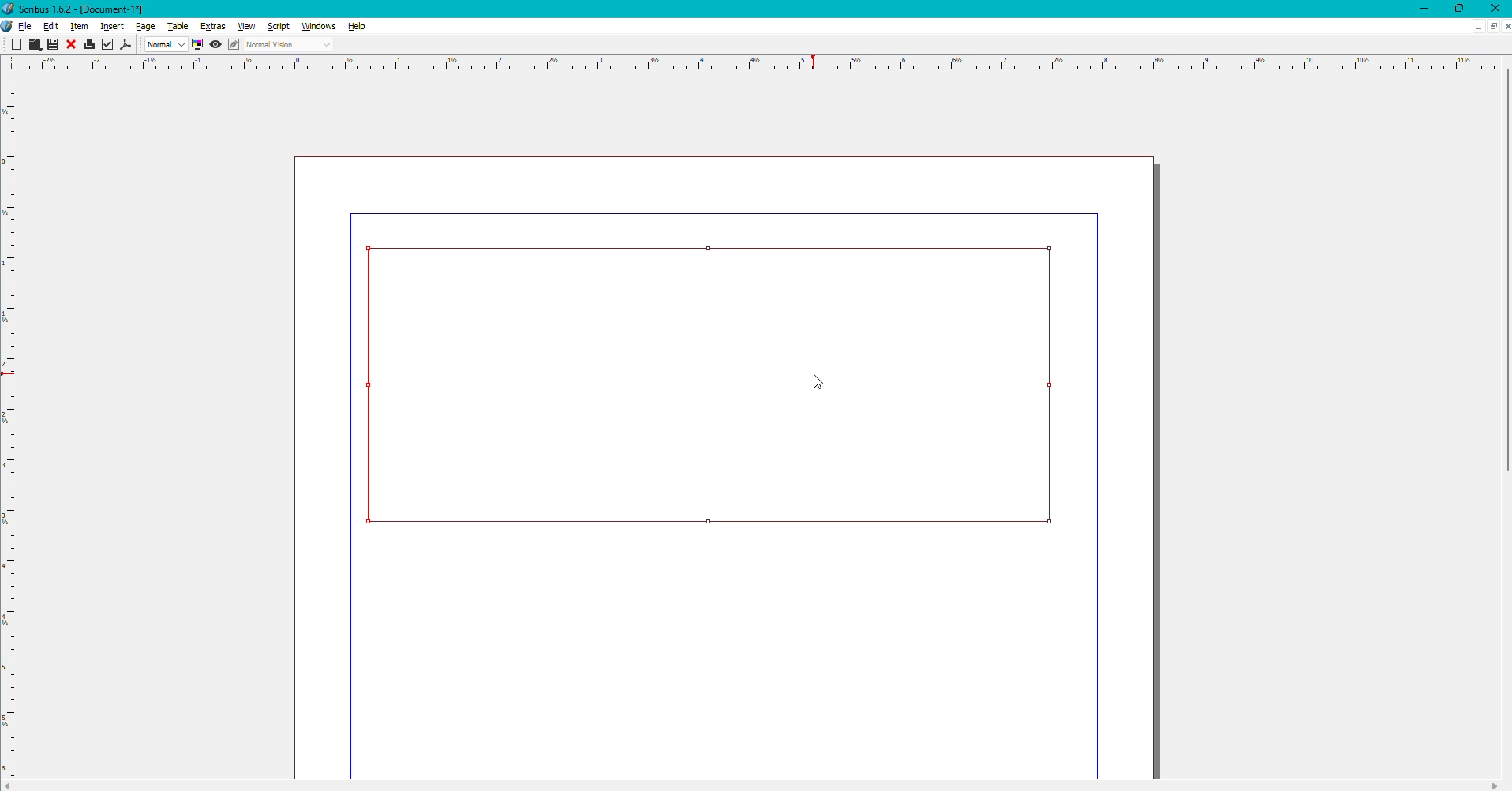  What do you see at coordinates (212, 27) in the screenshot?
I see `Extras` at bounding box center [212, 27].